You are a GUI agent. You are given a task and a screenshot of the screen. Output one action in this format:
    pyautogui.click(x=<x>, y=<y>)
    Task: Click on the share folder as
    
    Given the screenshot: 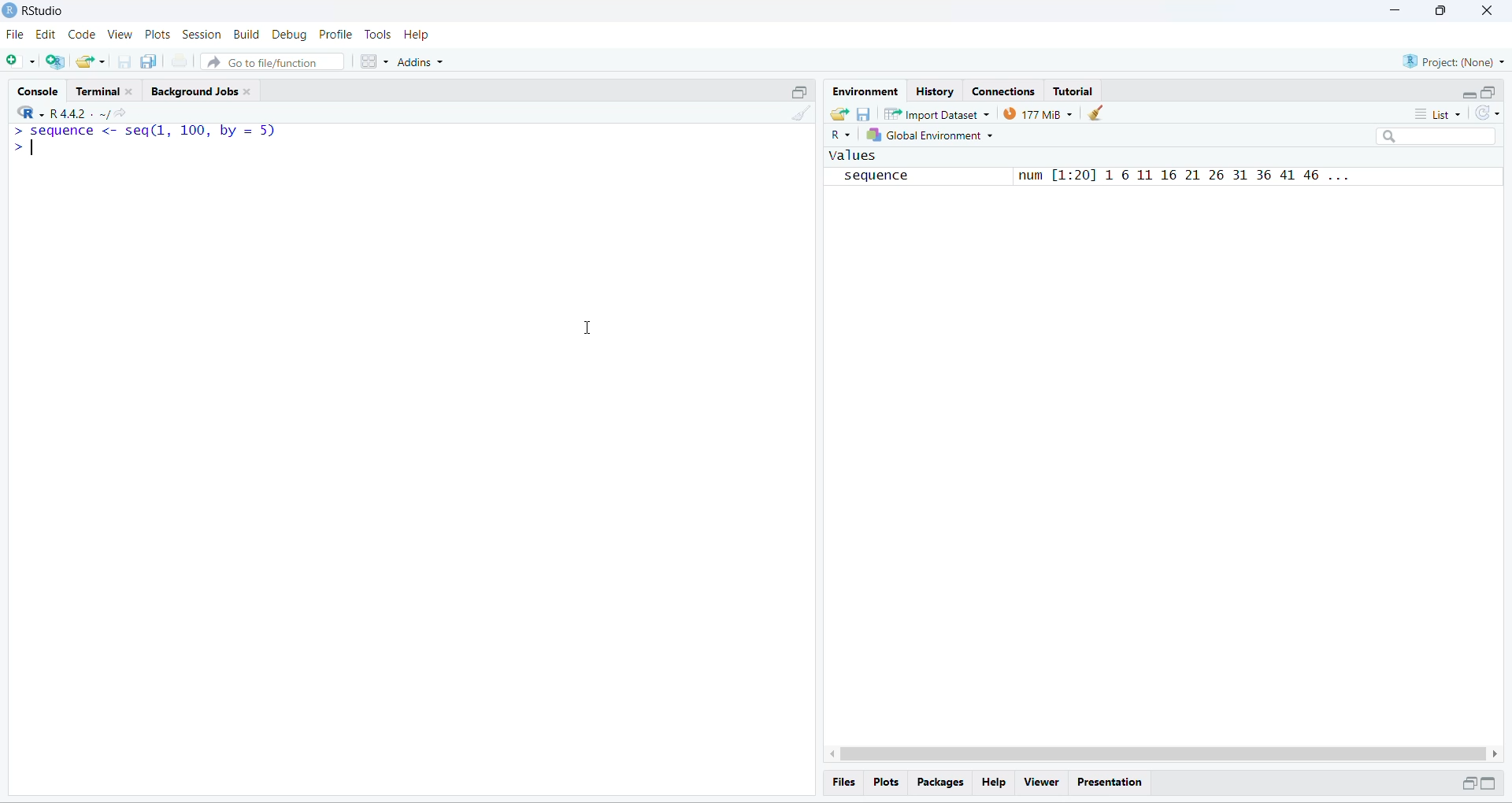 What is the action you would take?
    pyautogui.click(x=92, y=62)
    